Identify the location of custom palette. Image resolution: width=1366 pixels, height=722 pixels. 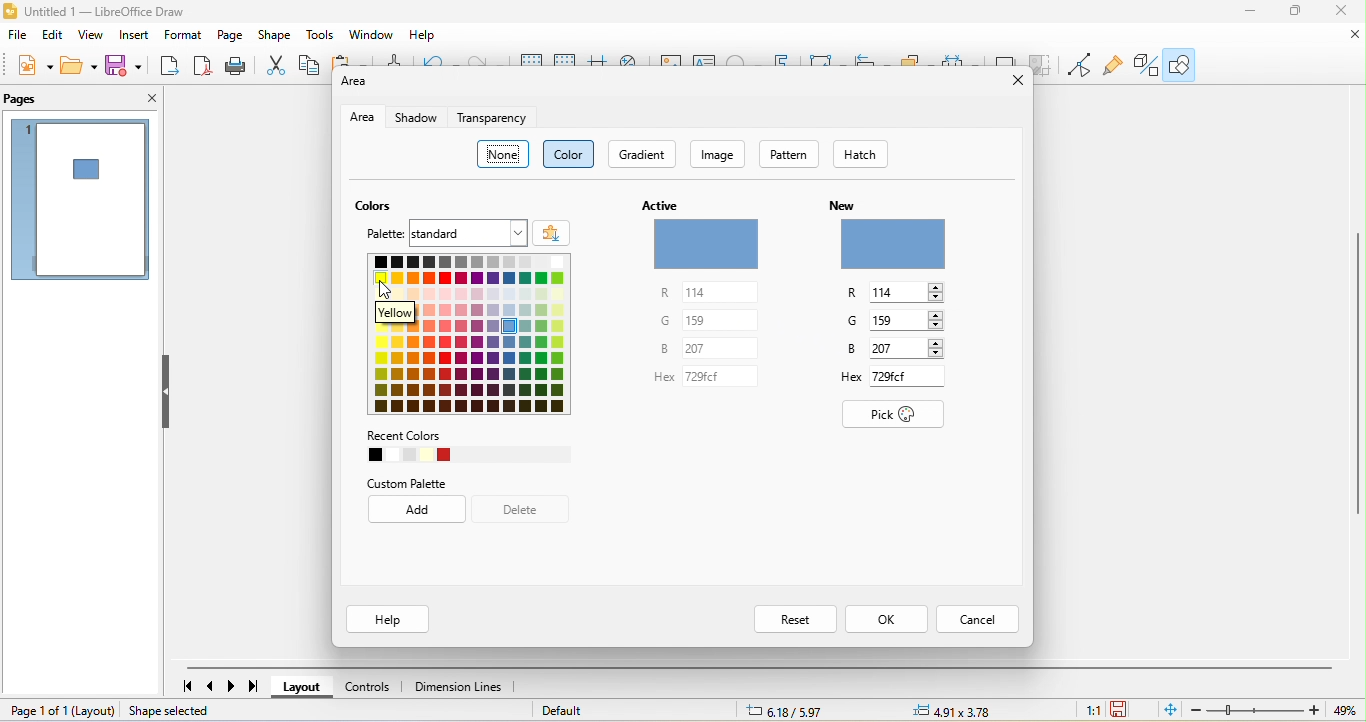
(444, 481).